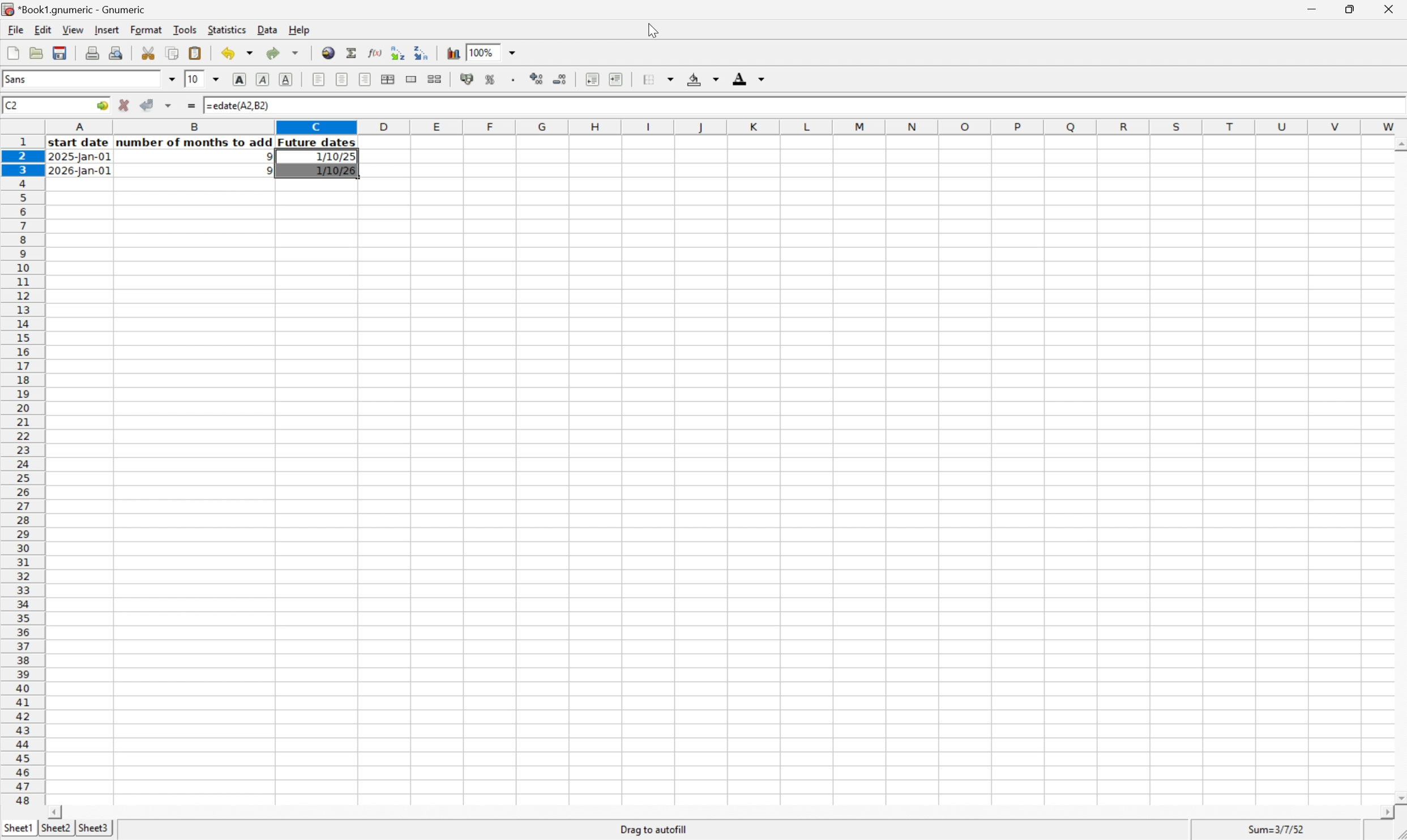 This screenshot has height=840, width=1407. I want to click on Redo, so click(281, 52).